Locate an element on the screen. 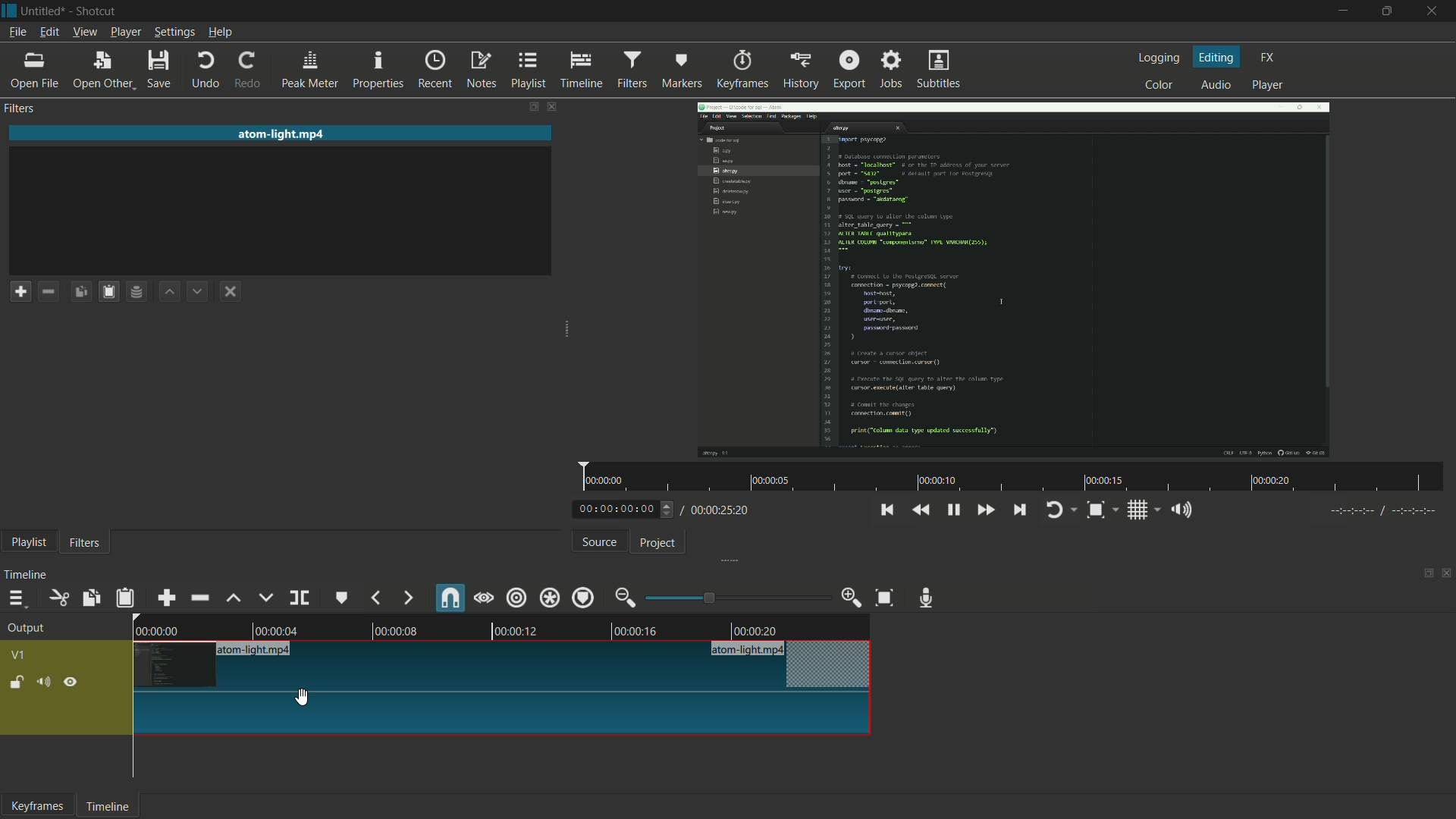 The width and height of the screenshot is (1456, 819). move filter down is located at coordinates (197, 291).